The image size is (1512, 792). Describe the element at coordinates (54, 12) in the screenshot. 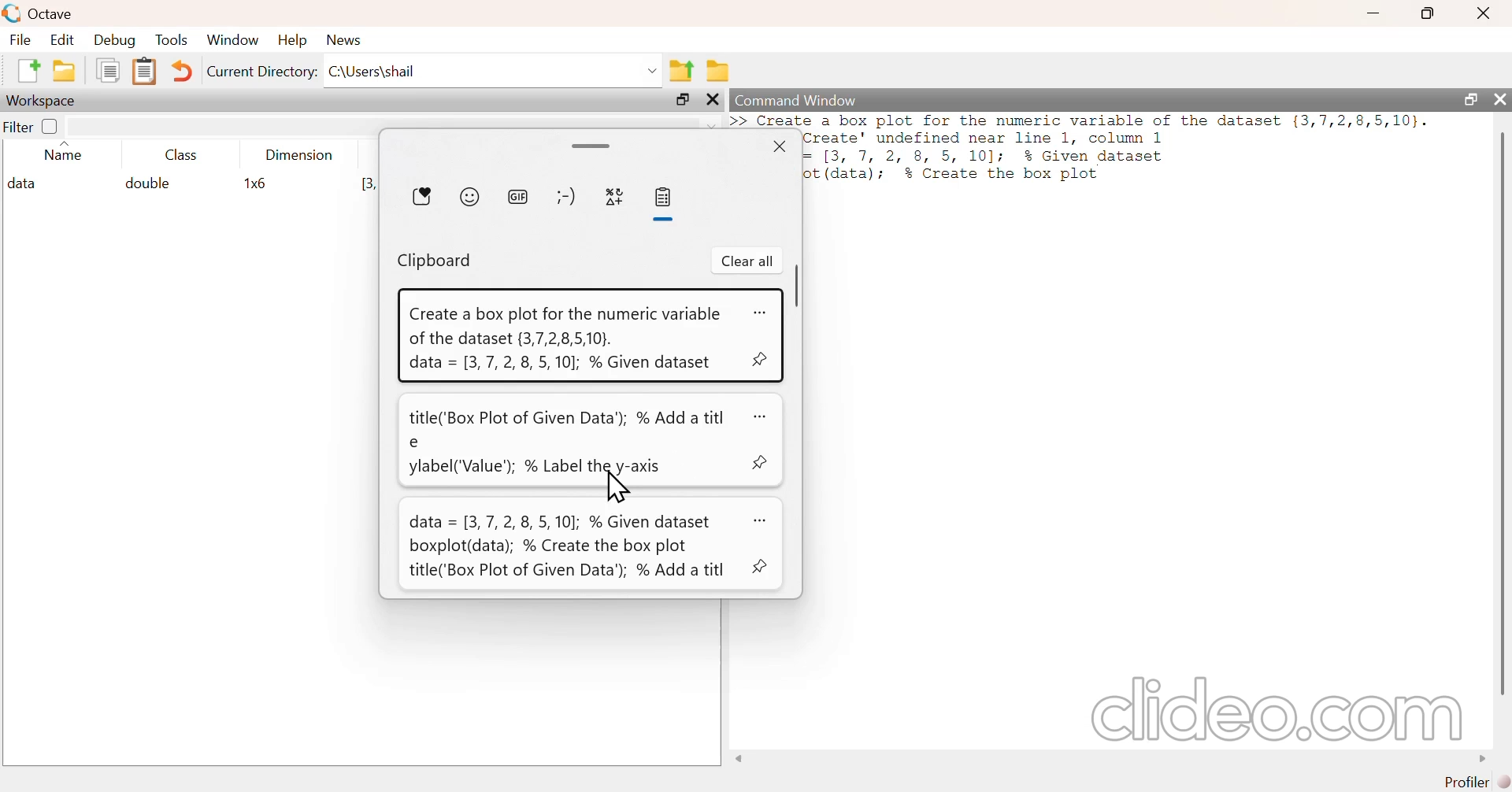

I see `Octave` at that location.